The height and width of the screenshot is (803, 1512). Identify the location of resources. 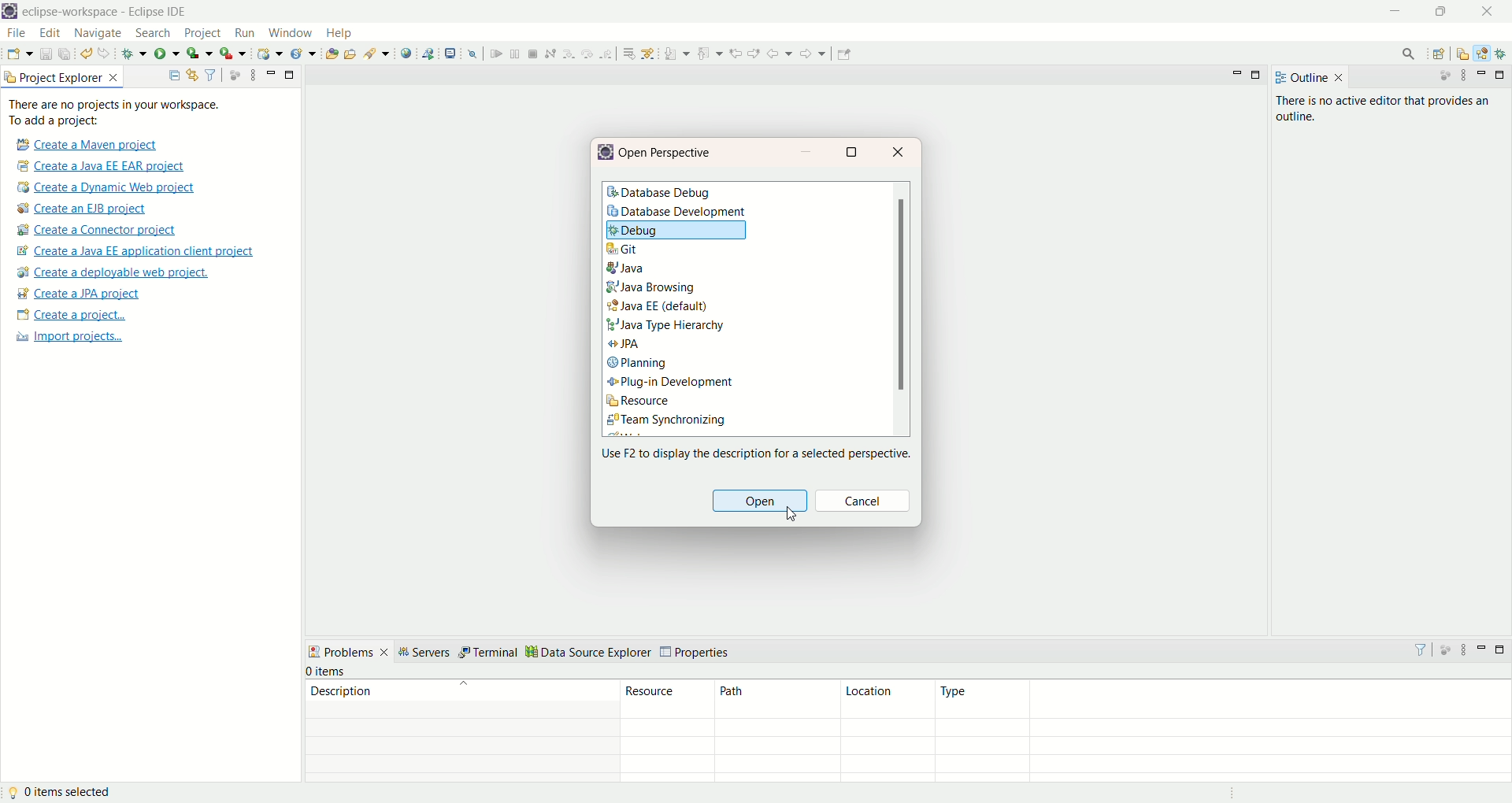
(1464, 55).